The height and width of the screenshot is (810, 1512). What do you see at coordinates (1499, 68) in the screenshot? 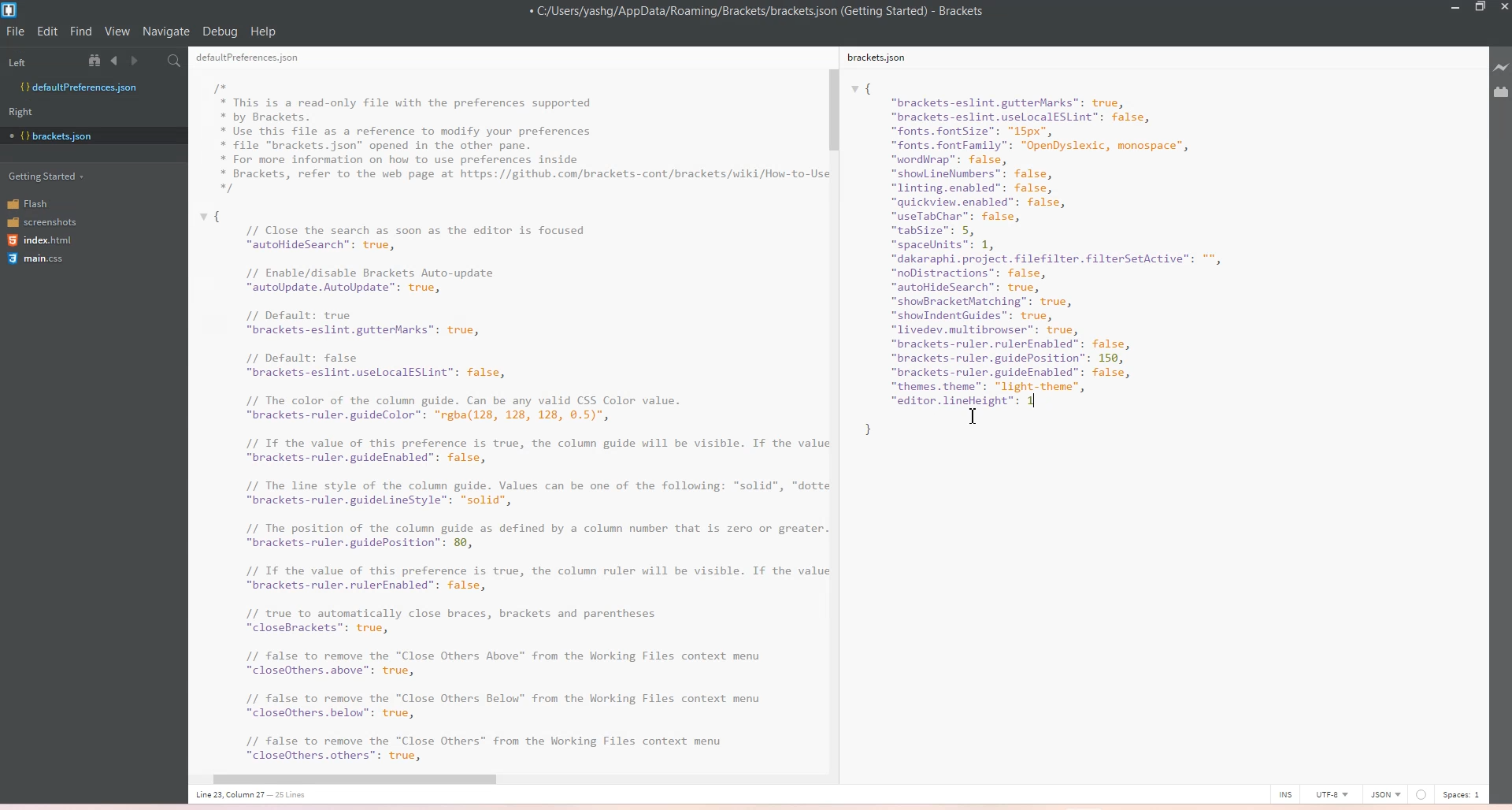
I see `Live Preview` at bounding box center [1499, 68].